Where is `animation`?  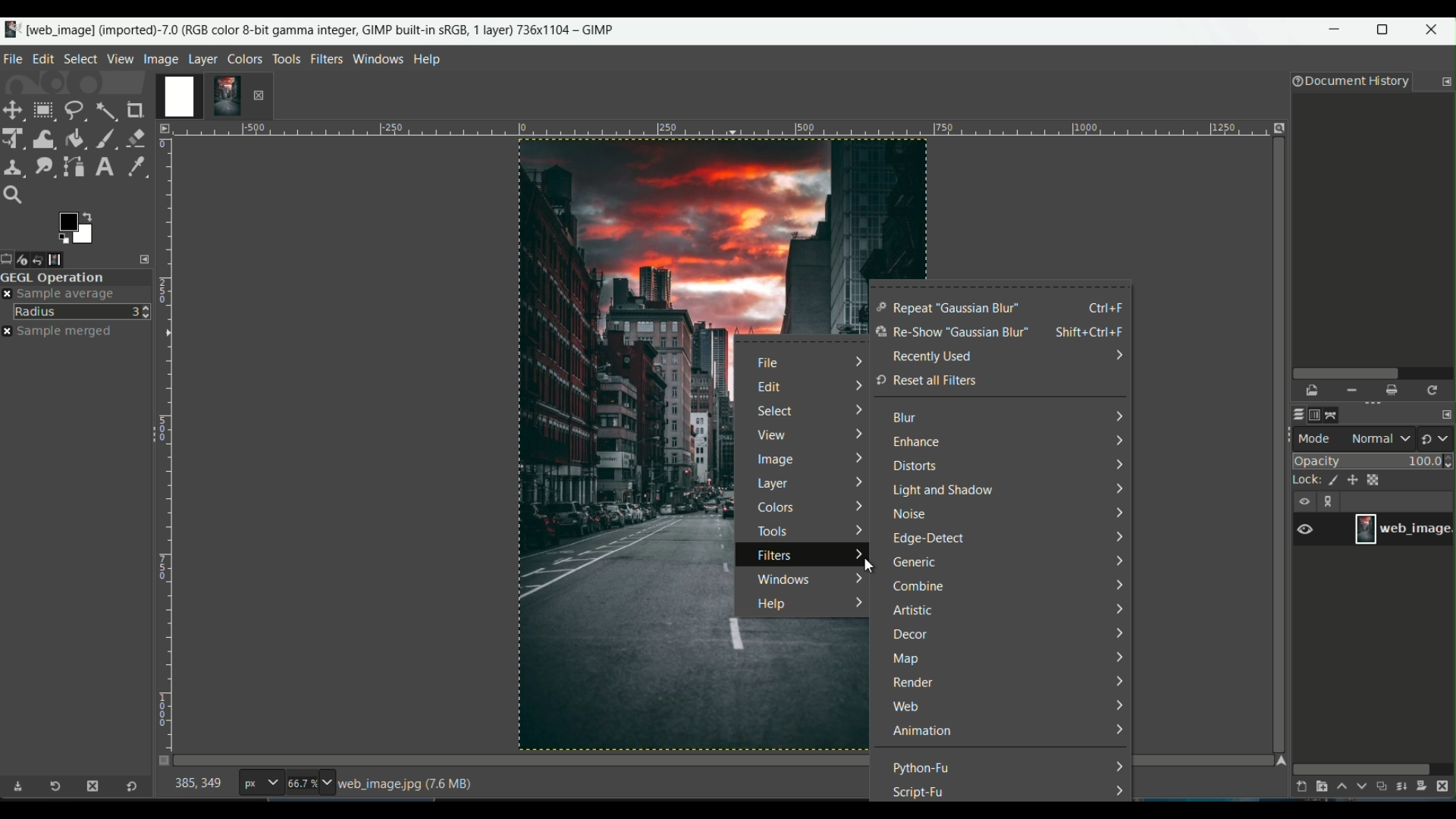 animation is located at coordinates (922, 732).